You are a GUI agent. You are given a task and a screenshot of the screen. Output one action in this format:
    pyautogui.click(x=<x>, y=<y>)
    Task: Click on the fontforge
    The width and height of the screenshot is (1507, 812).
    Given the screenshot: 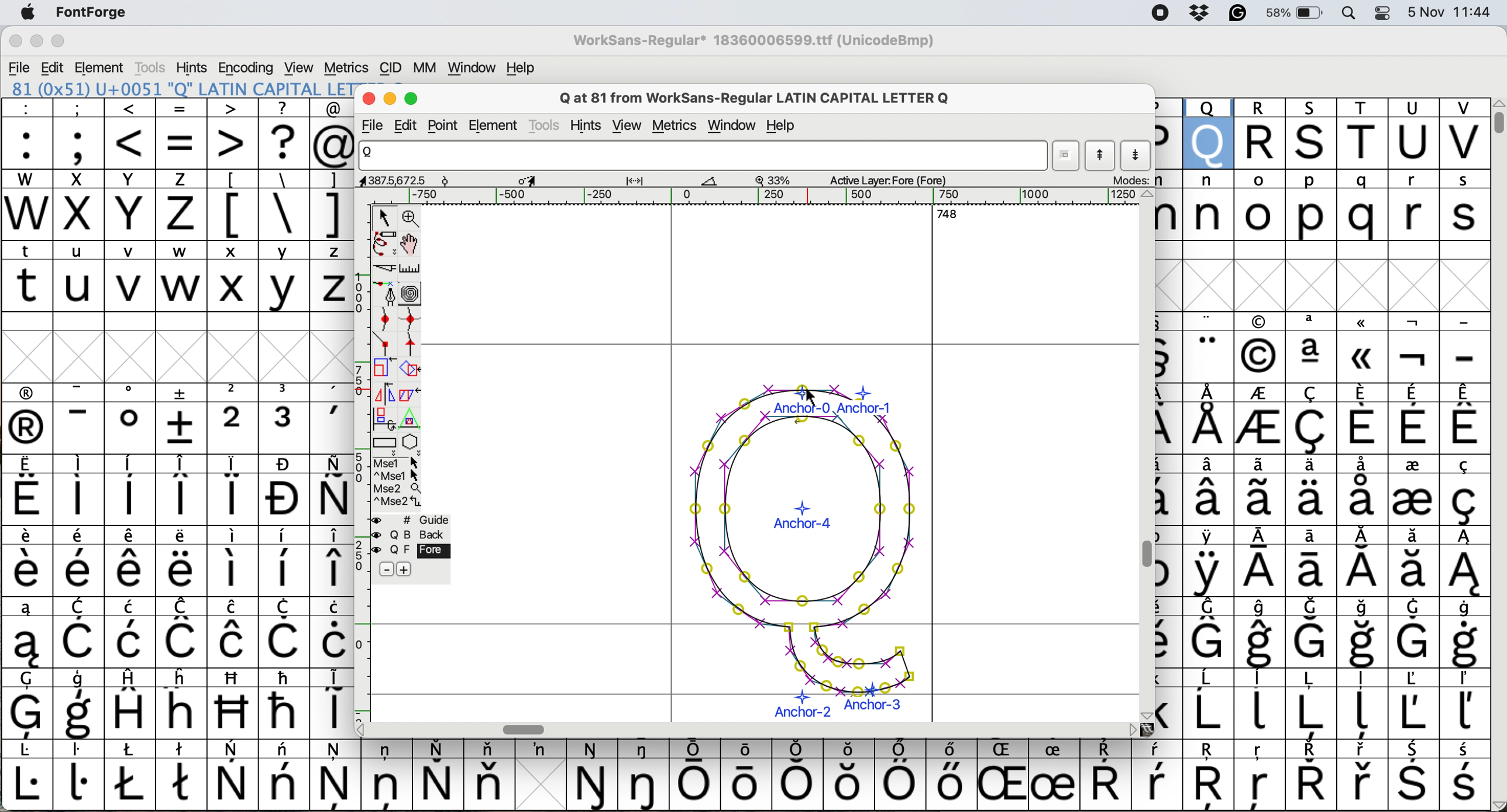 What is the action you would take?
    pyautogui.click(x=87, y=12)
    